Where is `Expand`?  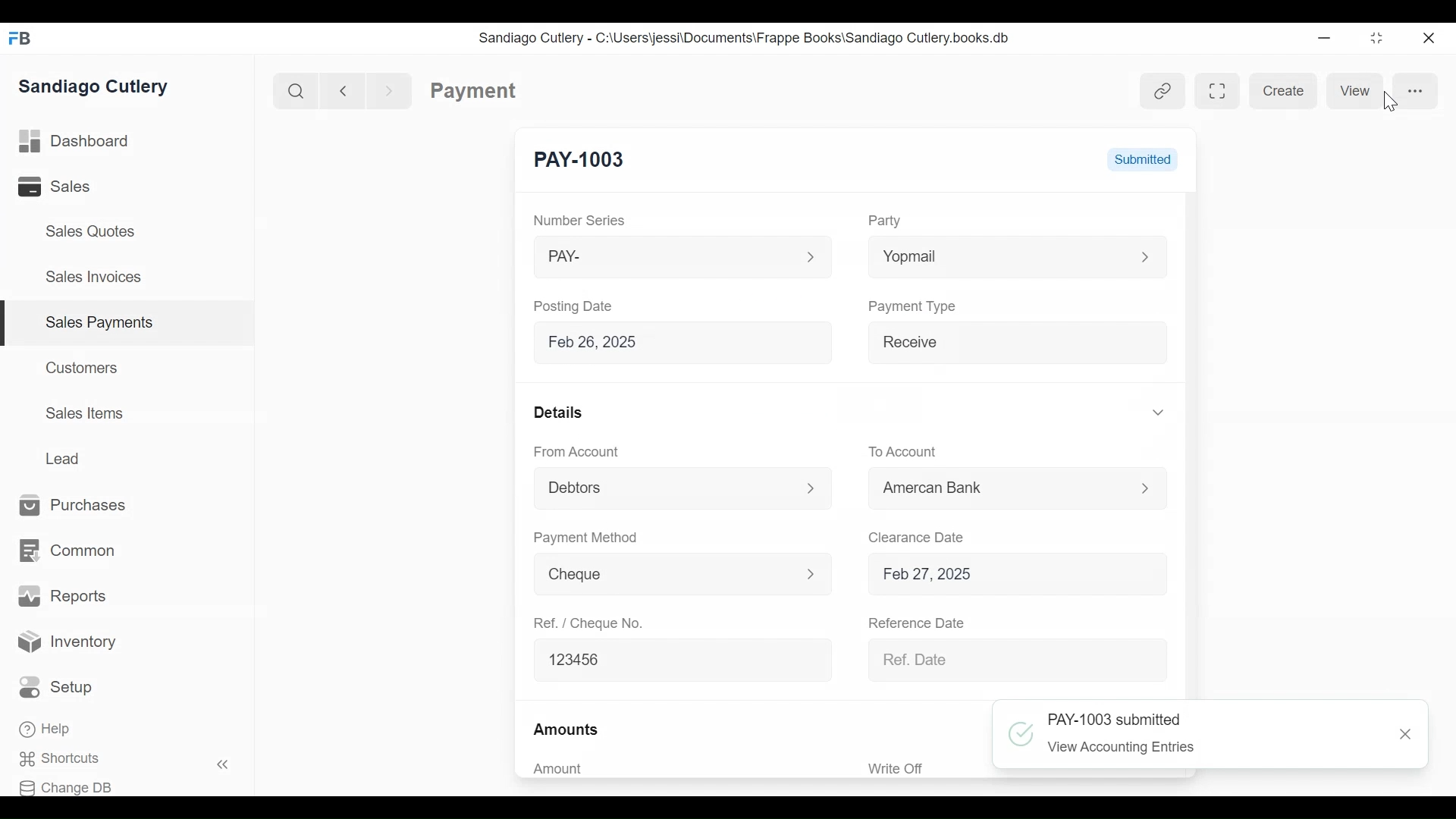 Expand is located at coordinates (1158, 413).